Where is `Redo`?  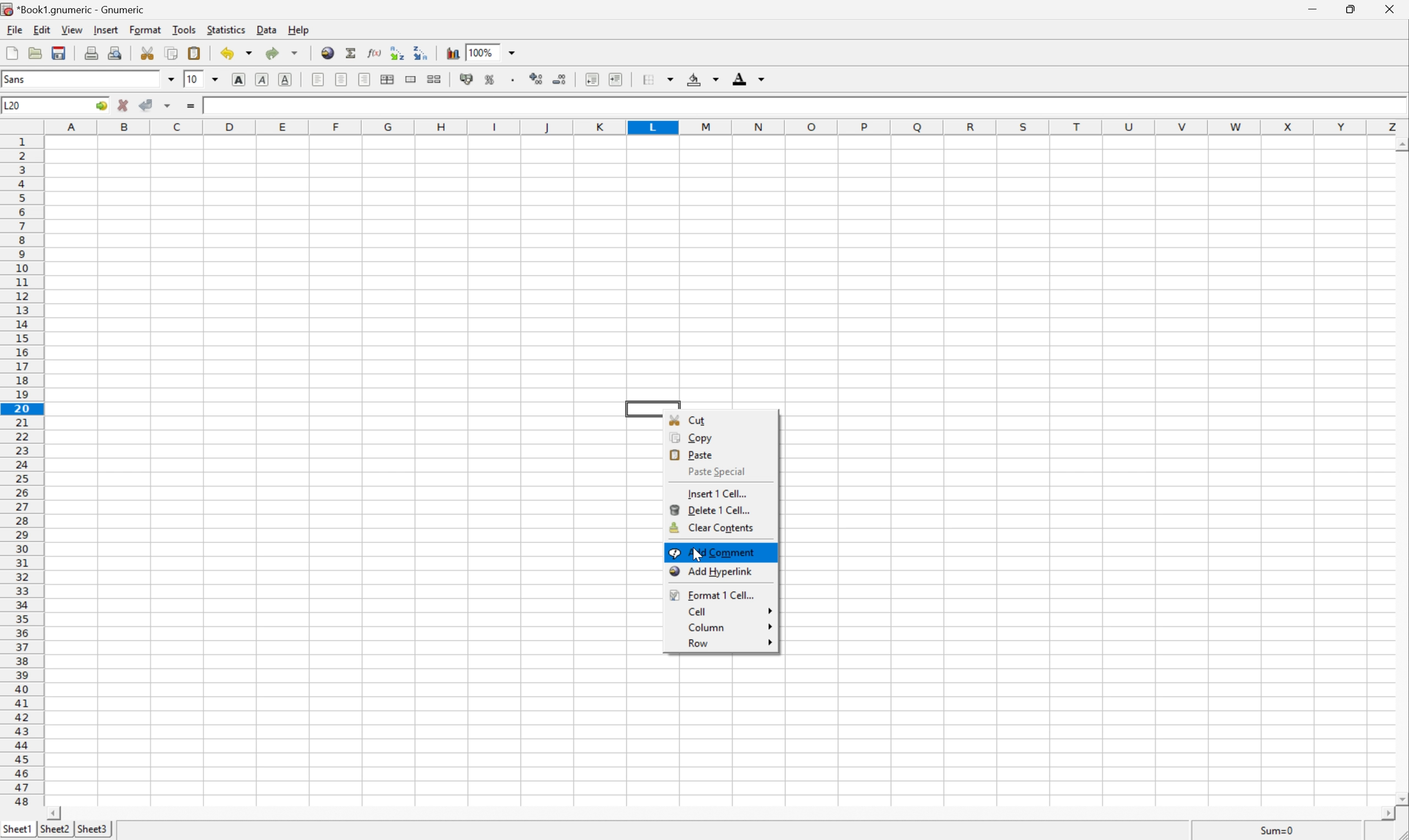 Redo is located at coordinates (284, 53).